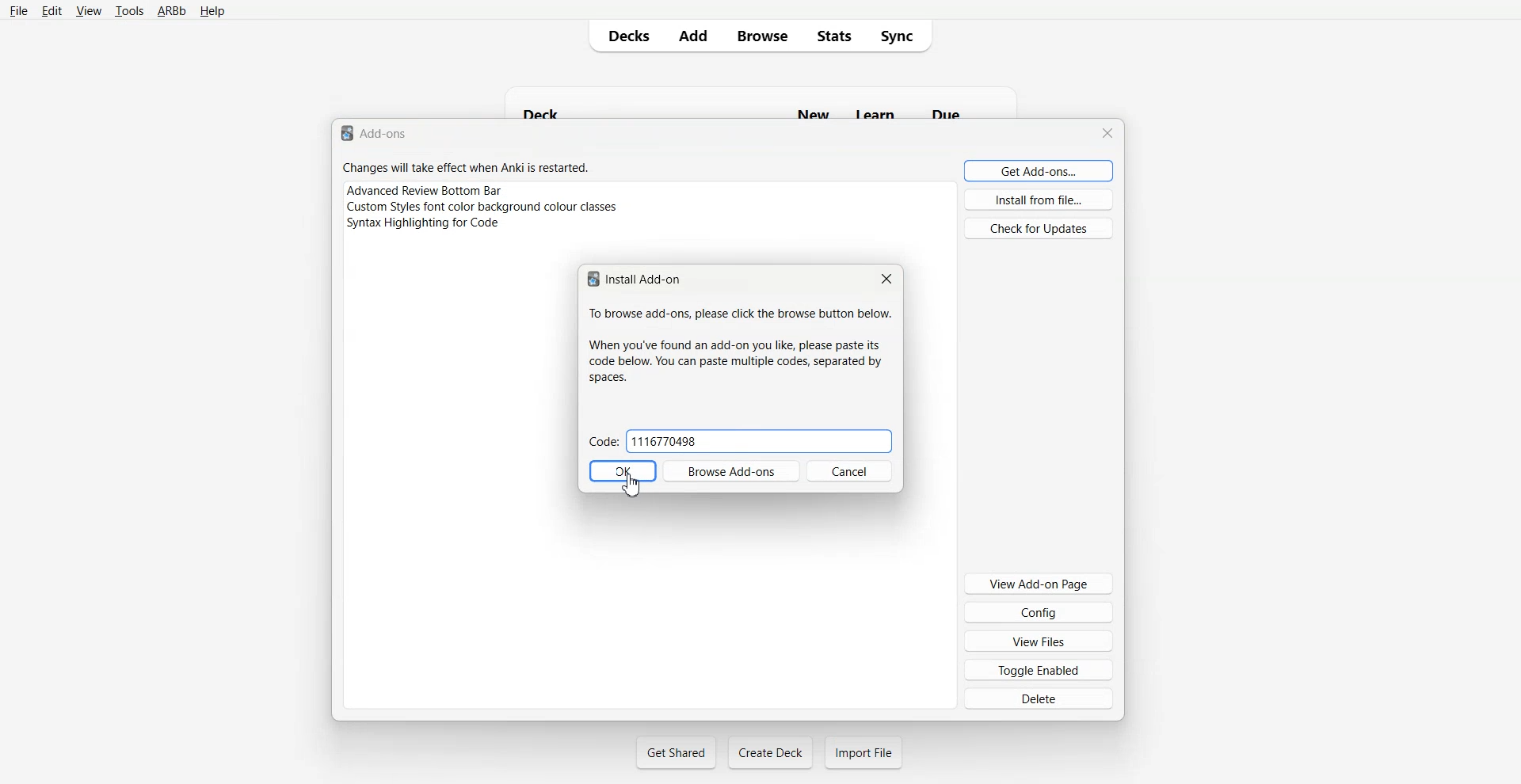 Image resolution: width=1521 pixels, height=784 pixels. What do you see at coordinates (1039, 228) in the screenshot?
I see `Check for Updates` at bounding box center [1039, 228].